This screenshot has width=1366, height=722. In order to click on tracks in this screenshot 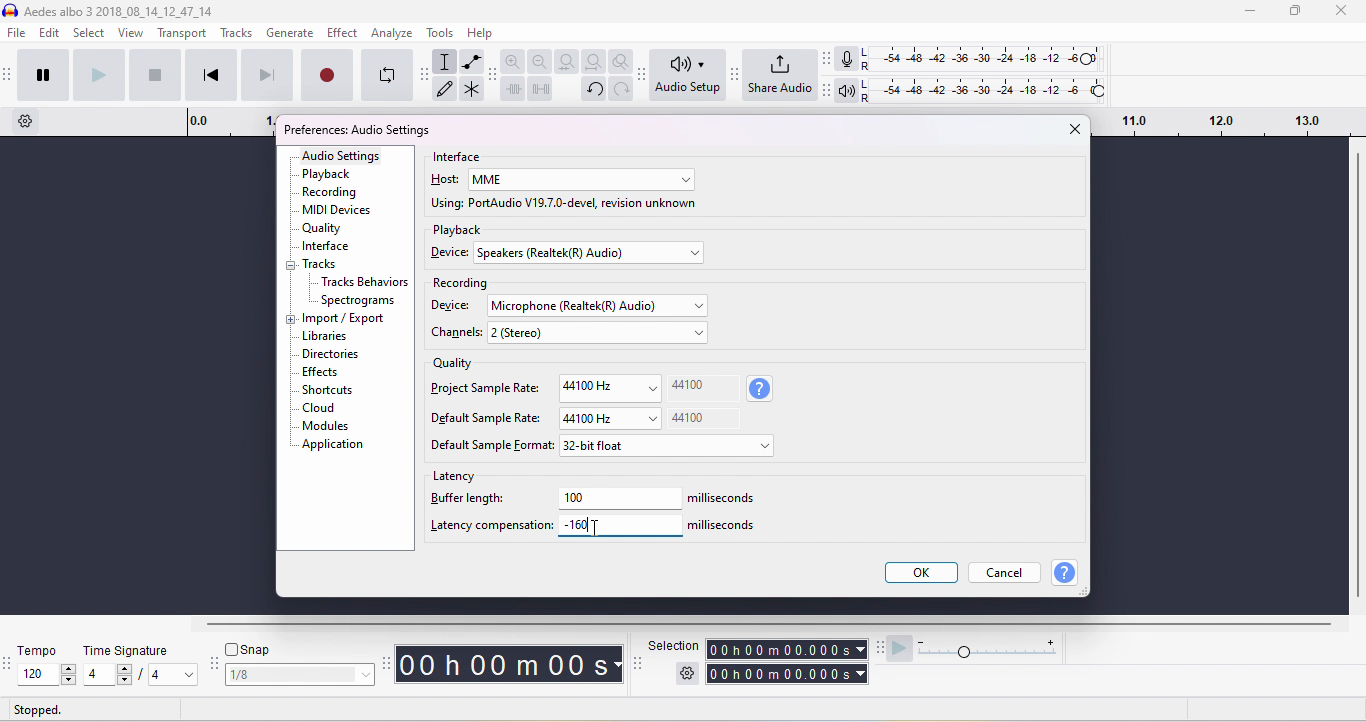, I will do `click(320, 265)`.